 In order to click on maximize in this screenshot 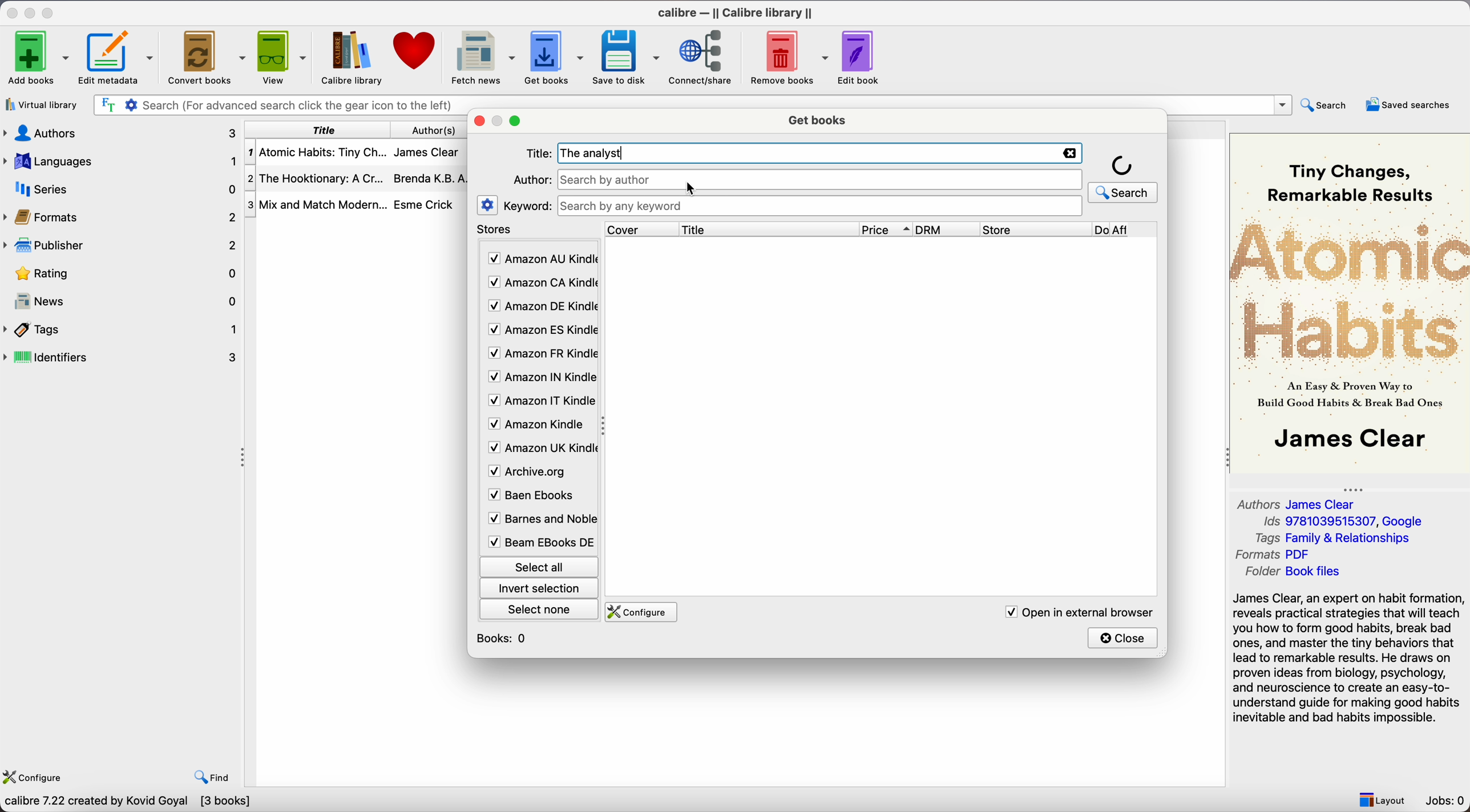, I will do `click(515, 123)`.